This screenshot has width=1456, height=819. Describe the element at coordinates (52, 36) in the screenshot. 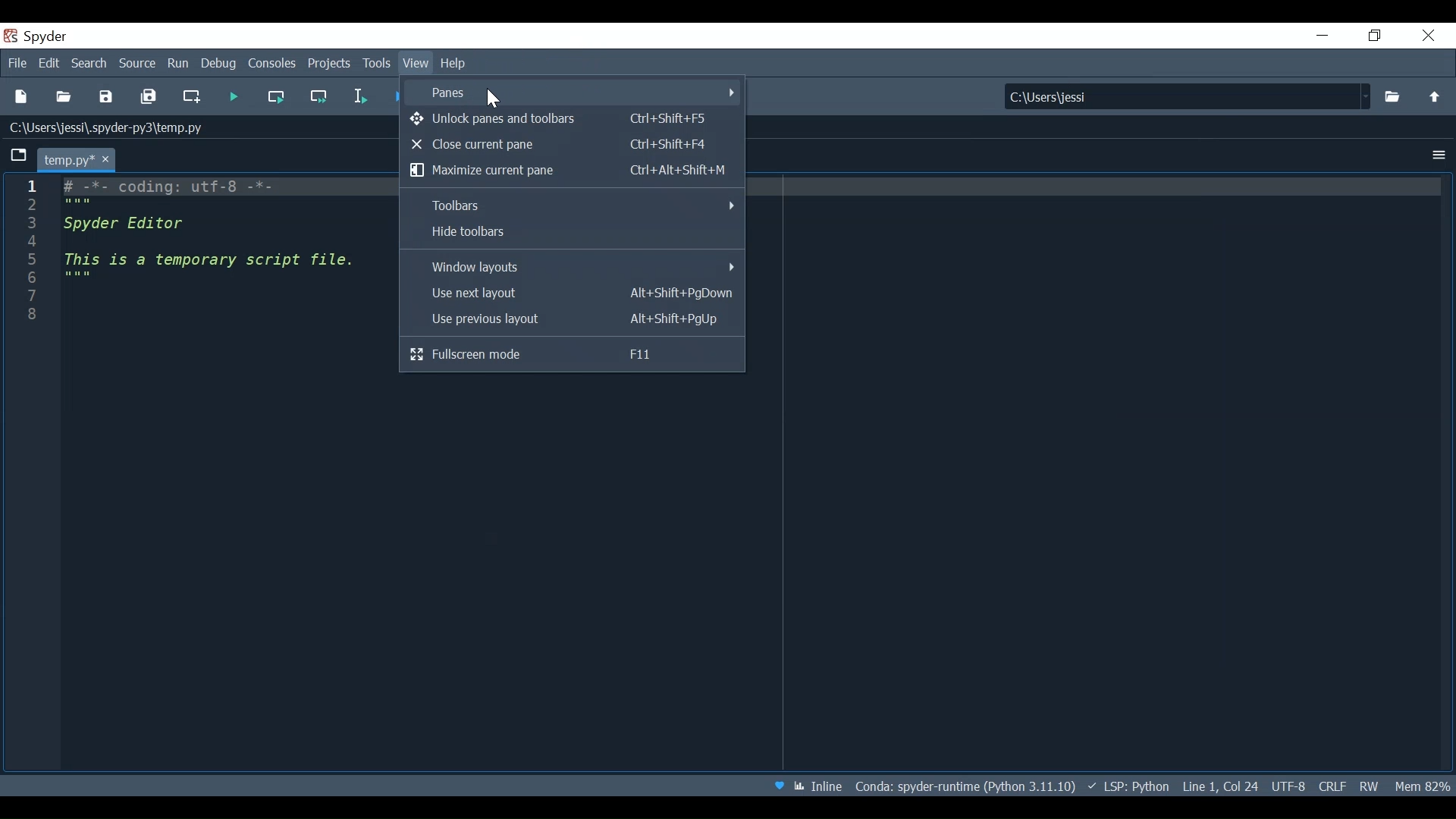

I see `spyder` at that location.